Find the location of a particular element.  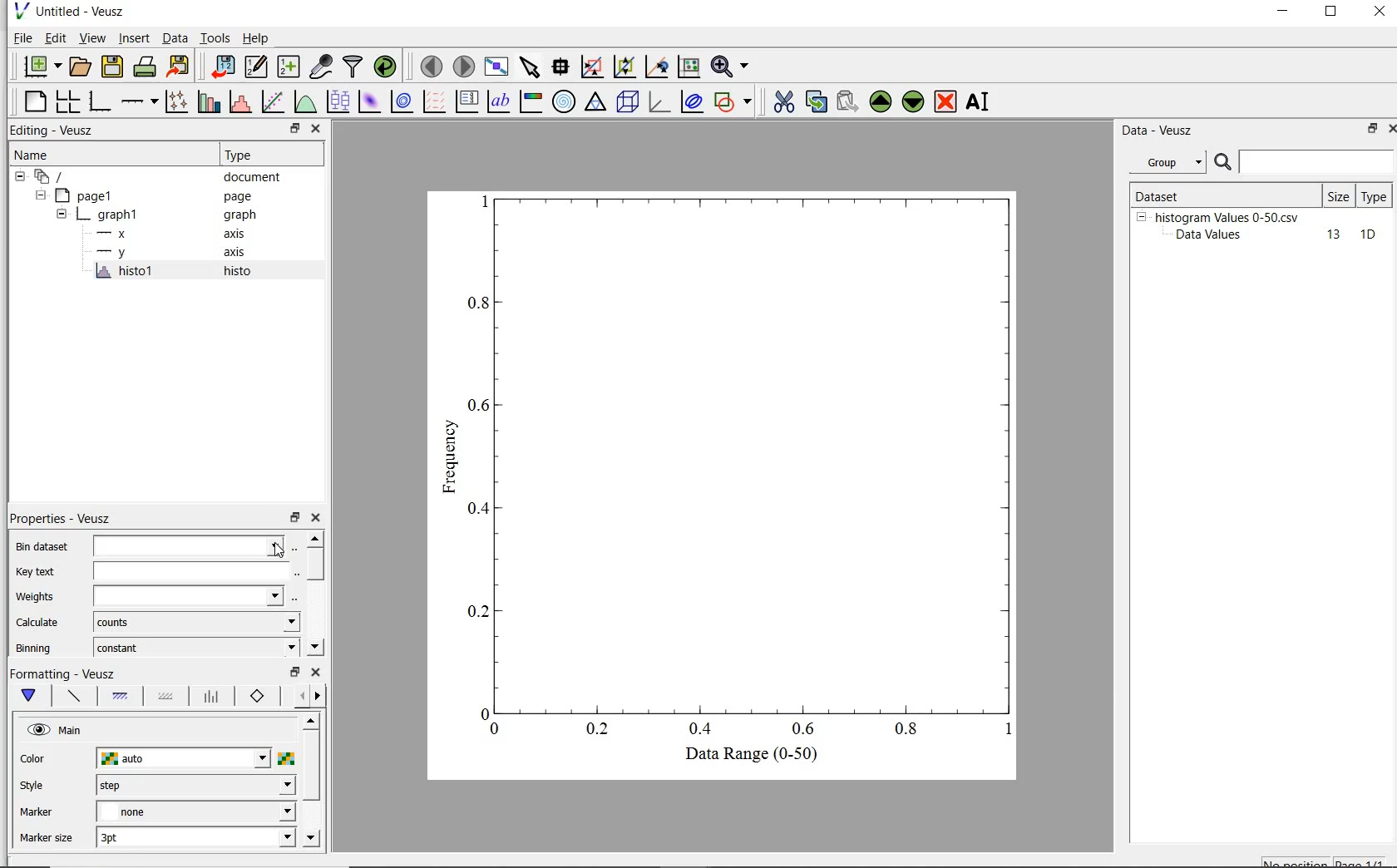

marker border is located at coordinates (258, 697).